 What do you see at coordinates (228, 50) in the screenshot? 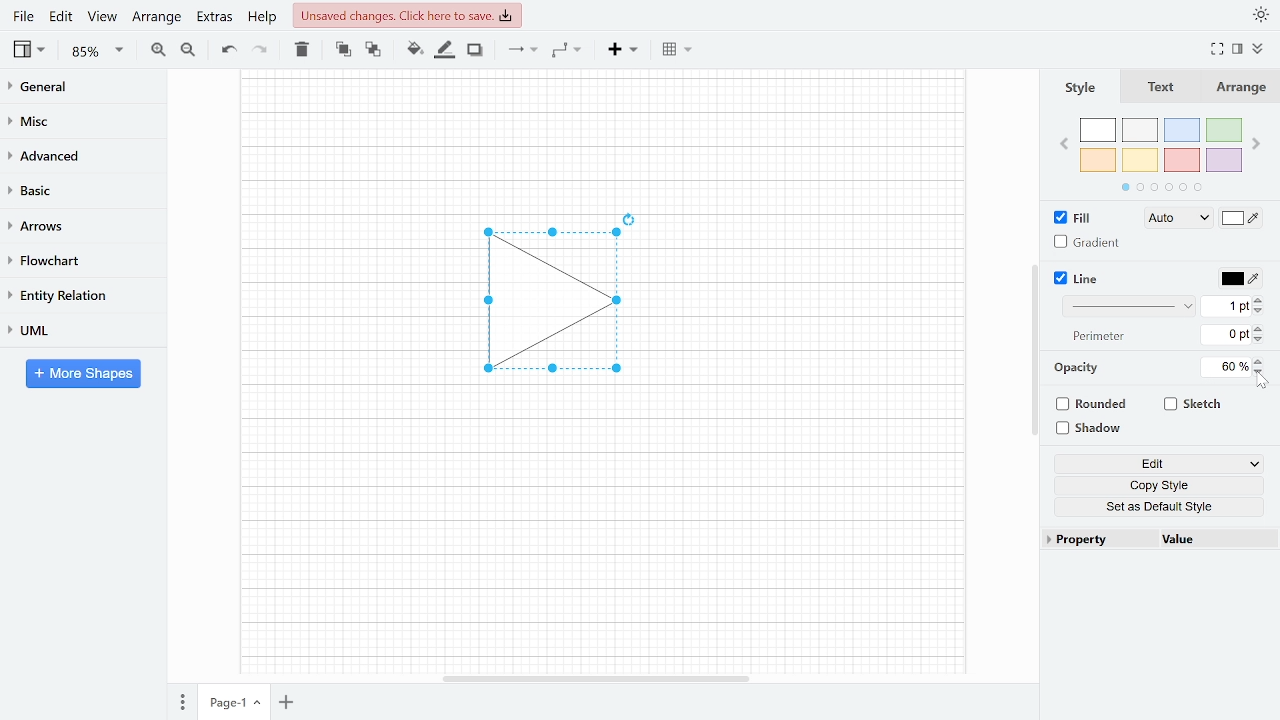
I see `Undo` at bounding box center [228, 50].